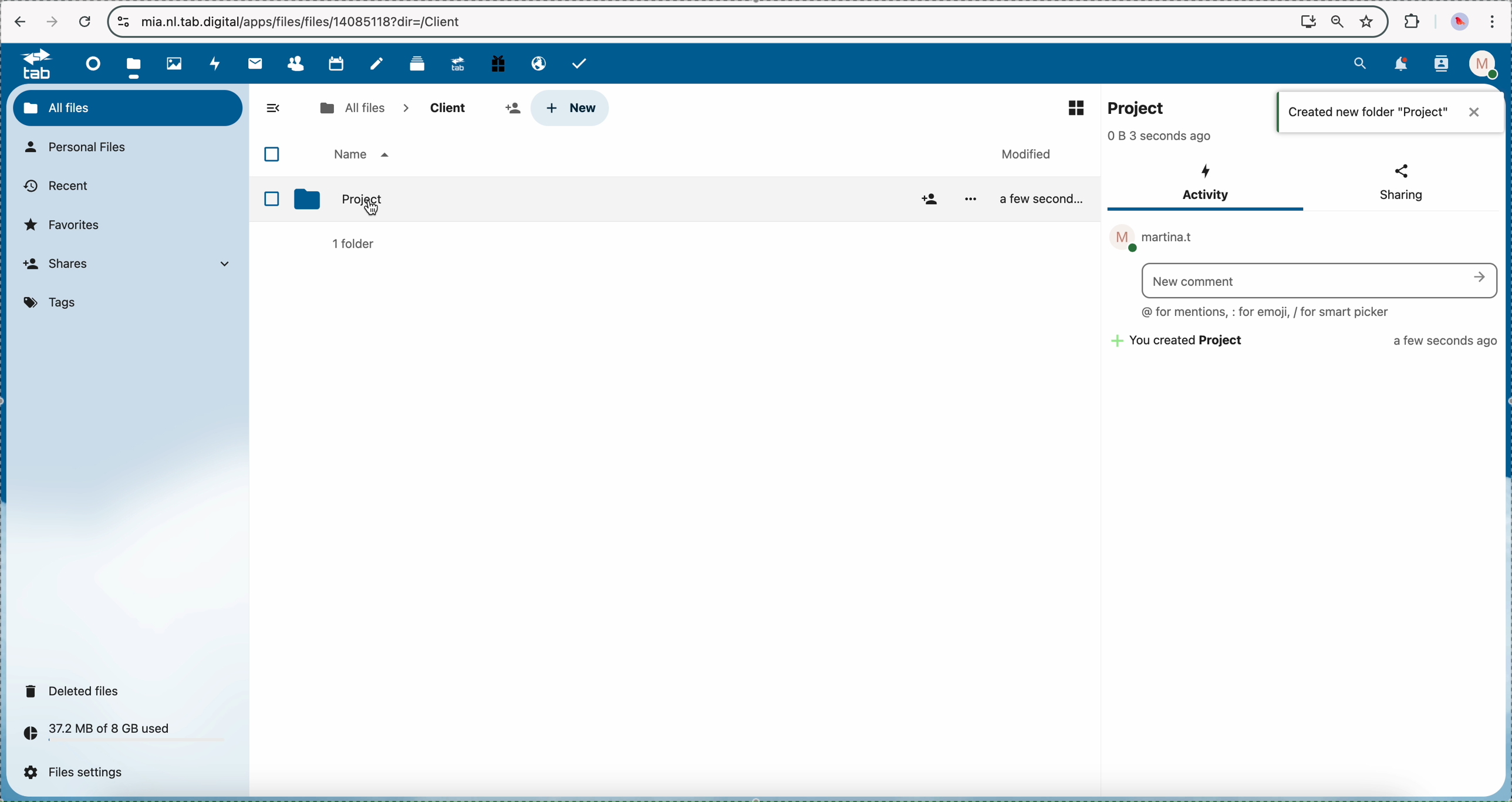  What do you see at coordinates (1153, 236) in the screenshot?
I see `M  martina.t
®` at bounding box center [1153, 236].